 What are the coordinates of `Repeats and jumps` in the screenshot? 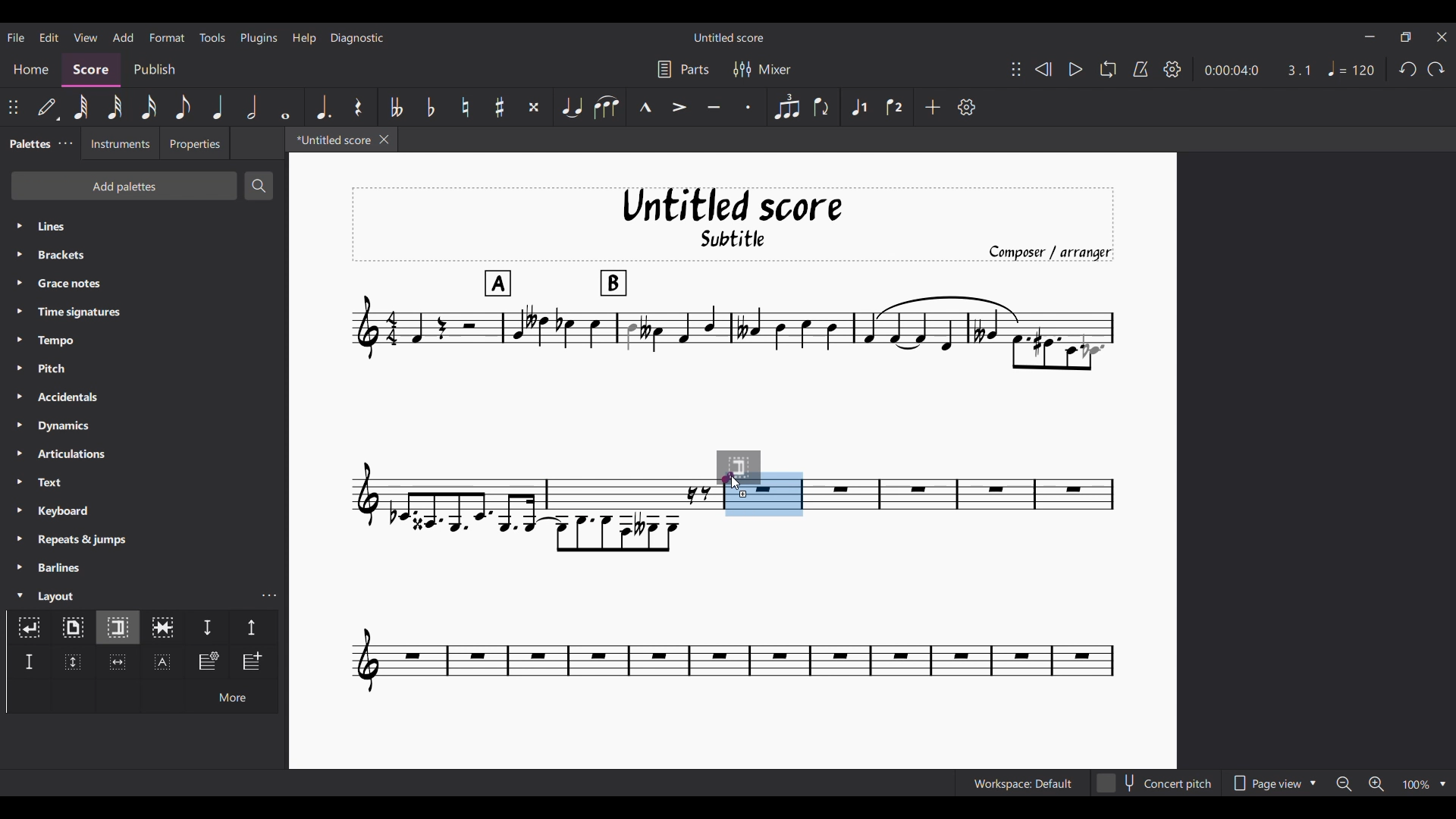 It's located at (143, 540).